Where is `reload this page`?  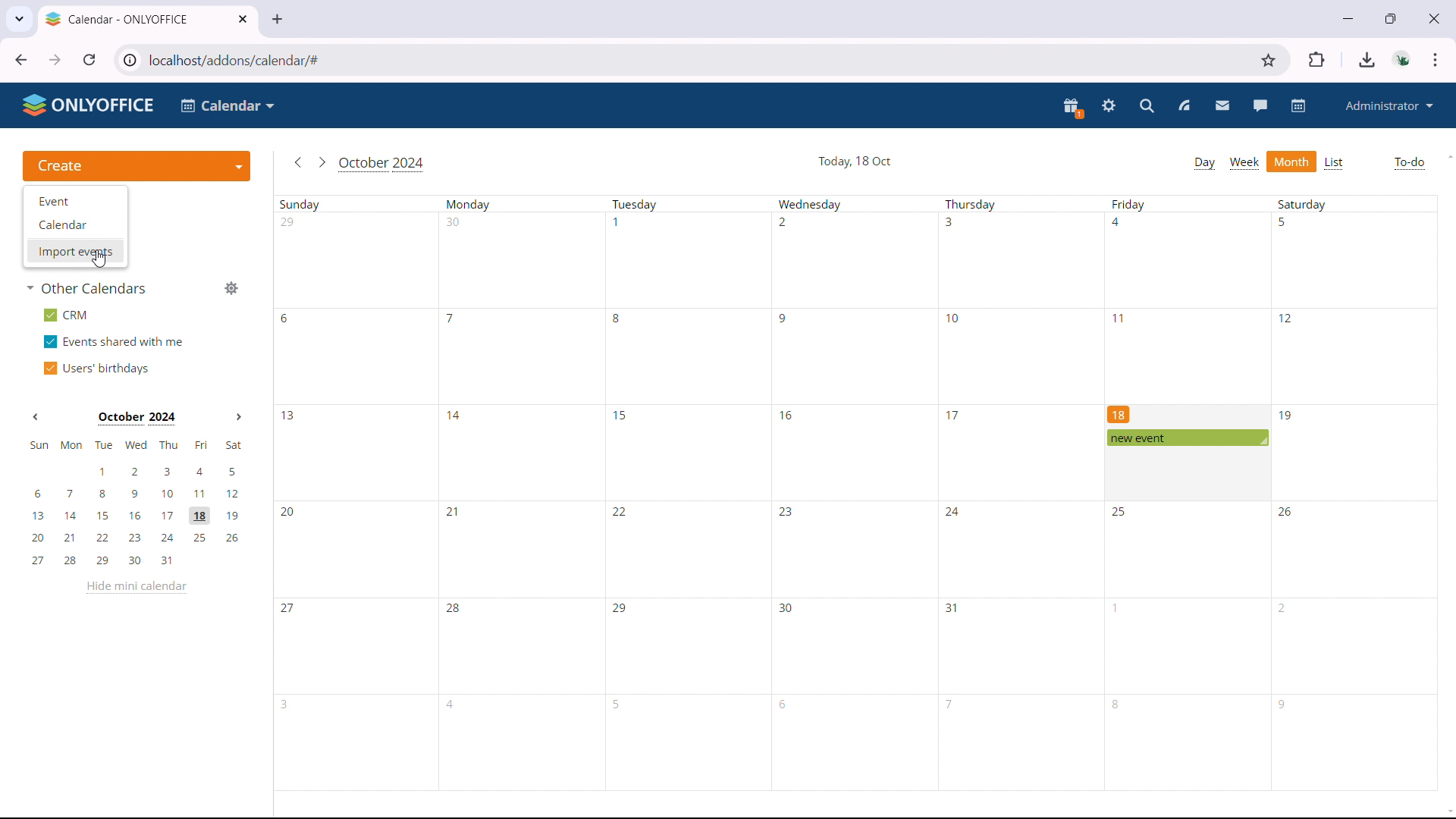
reload this page is located at coordinates (90, 59).